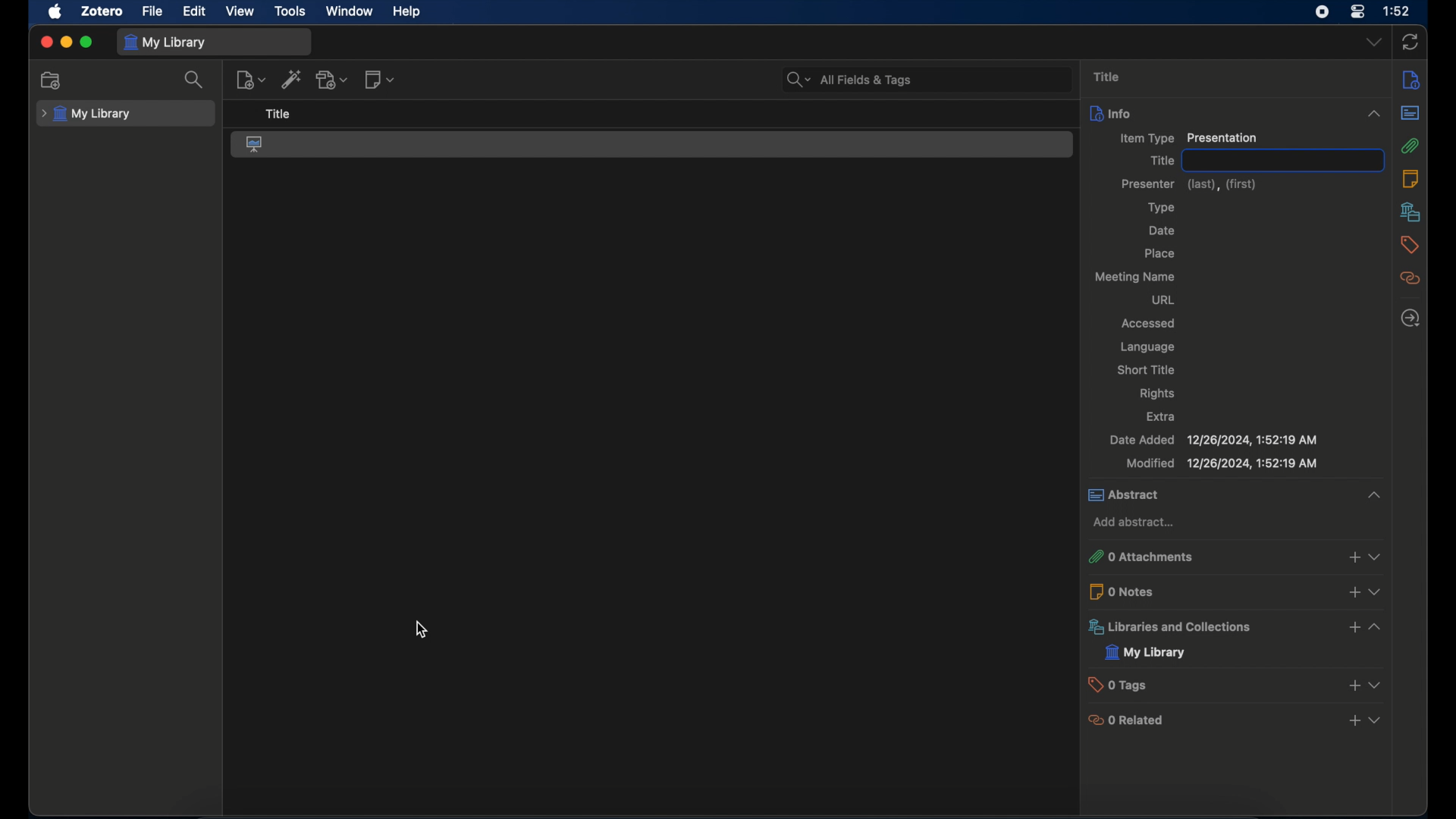  I want to click on libraries, so click(1237, 626).